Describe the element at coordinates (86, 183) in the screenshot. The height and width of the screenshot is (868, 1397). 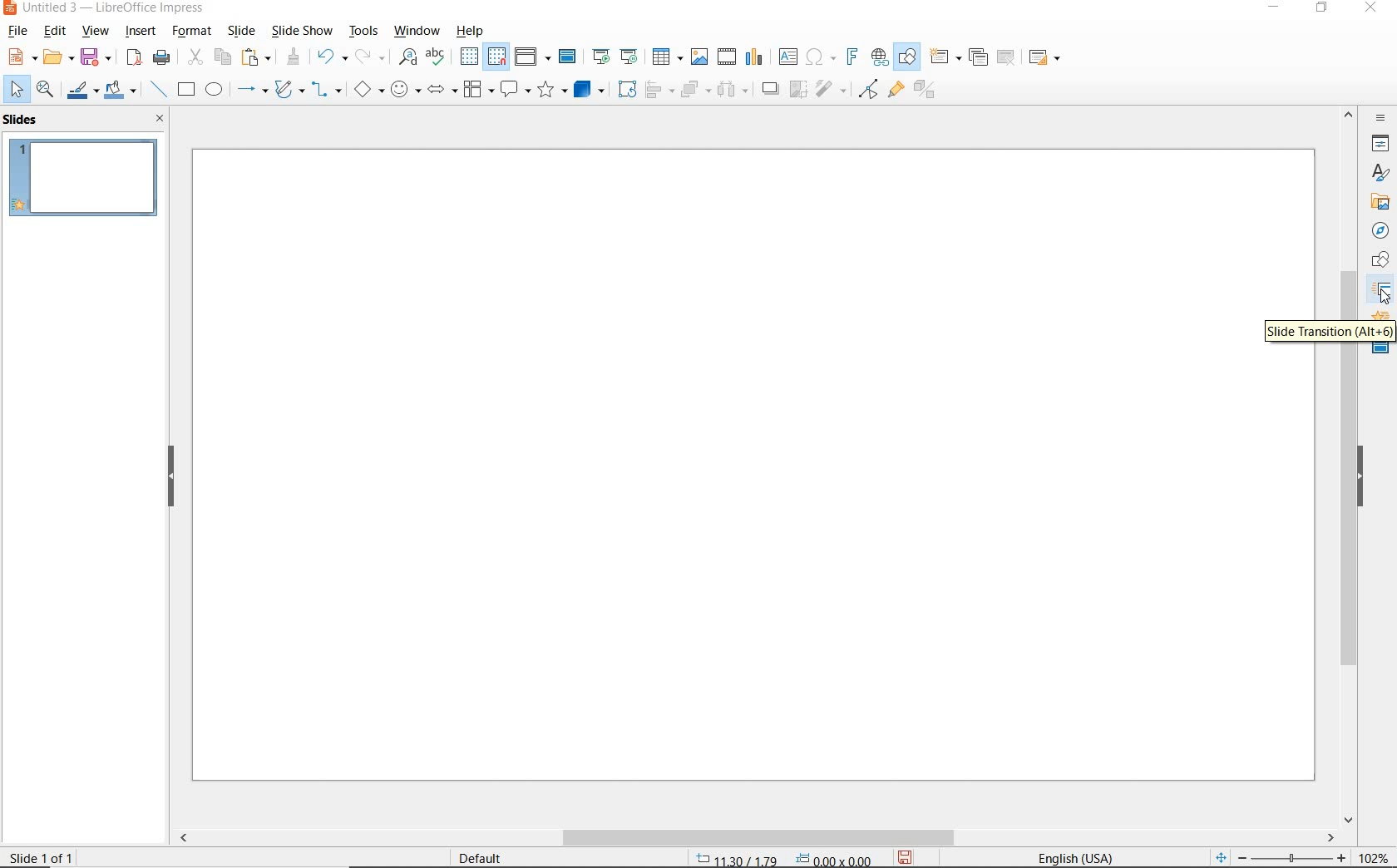
I see `SLIDE1` at that location.